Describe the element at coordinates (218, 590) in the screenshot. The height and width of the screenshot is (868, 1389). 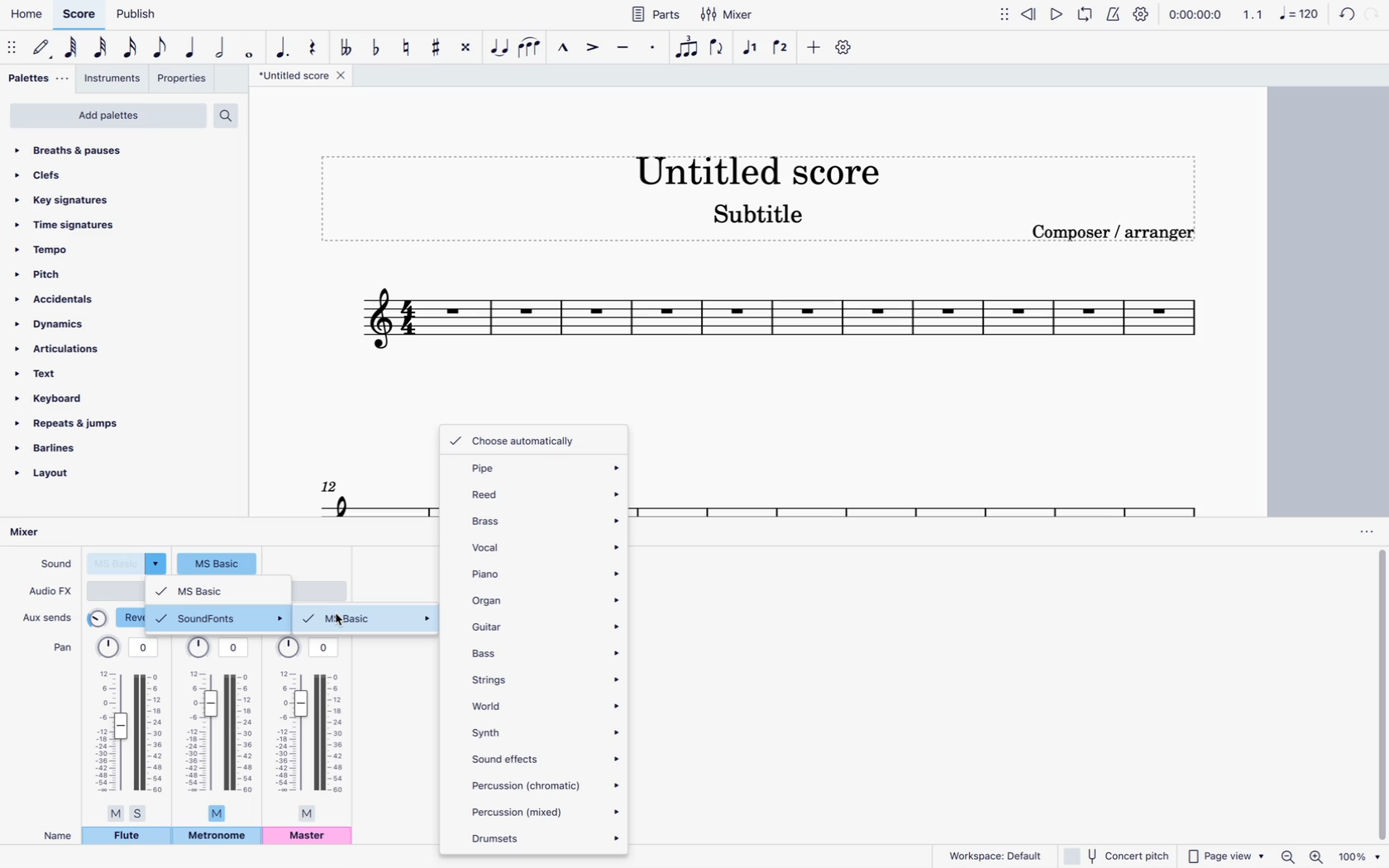
I see `msbasic ` at that location.